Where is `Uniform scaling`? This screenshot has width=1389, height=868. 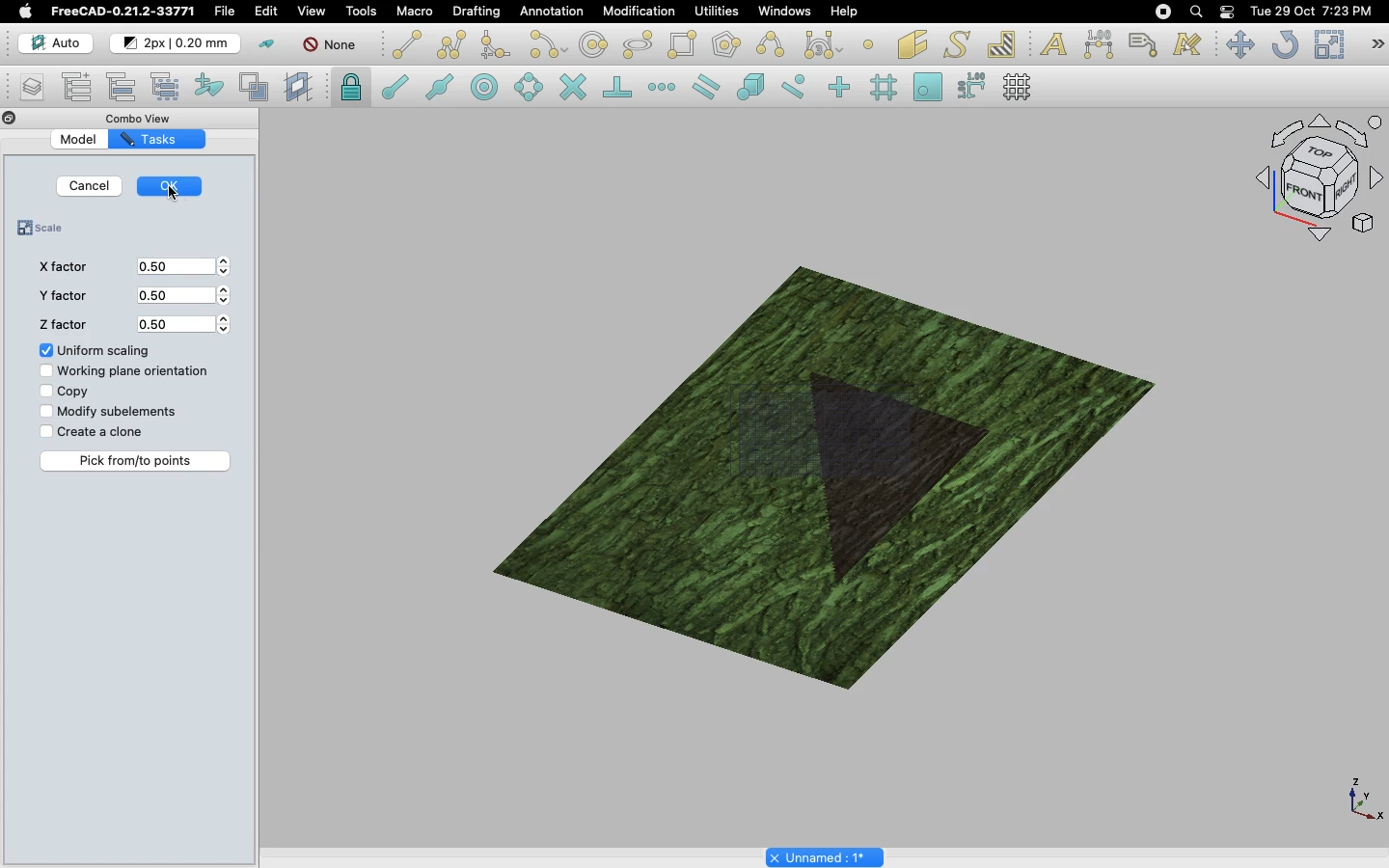
Uniform scaling is located at coordinates (95, 351).